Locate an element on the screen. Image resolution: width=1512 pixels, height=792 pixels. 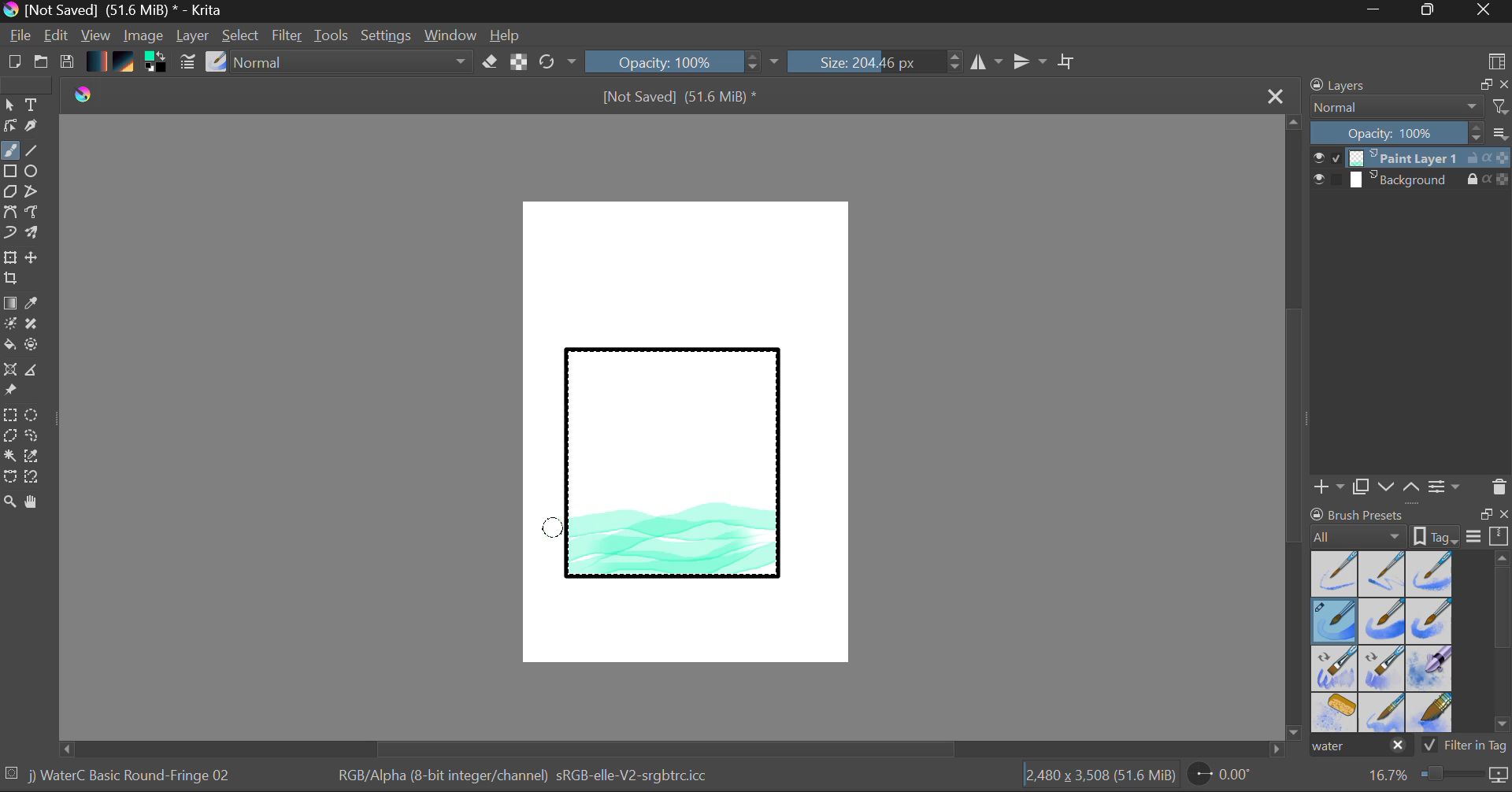
Crop is located at coordinates (13, 279).